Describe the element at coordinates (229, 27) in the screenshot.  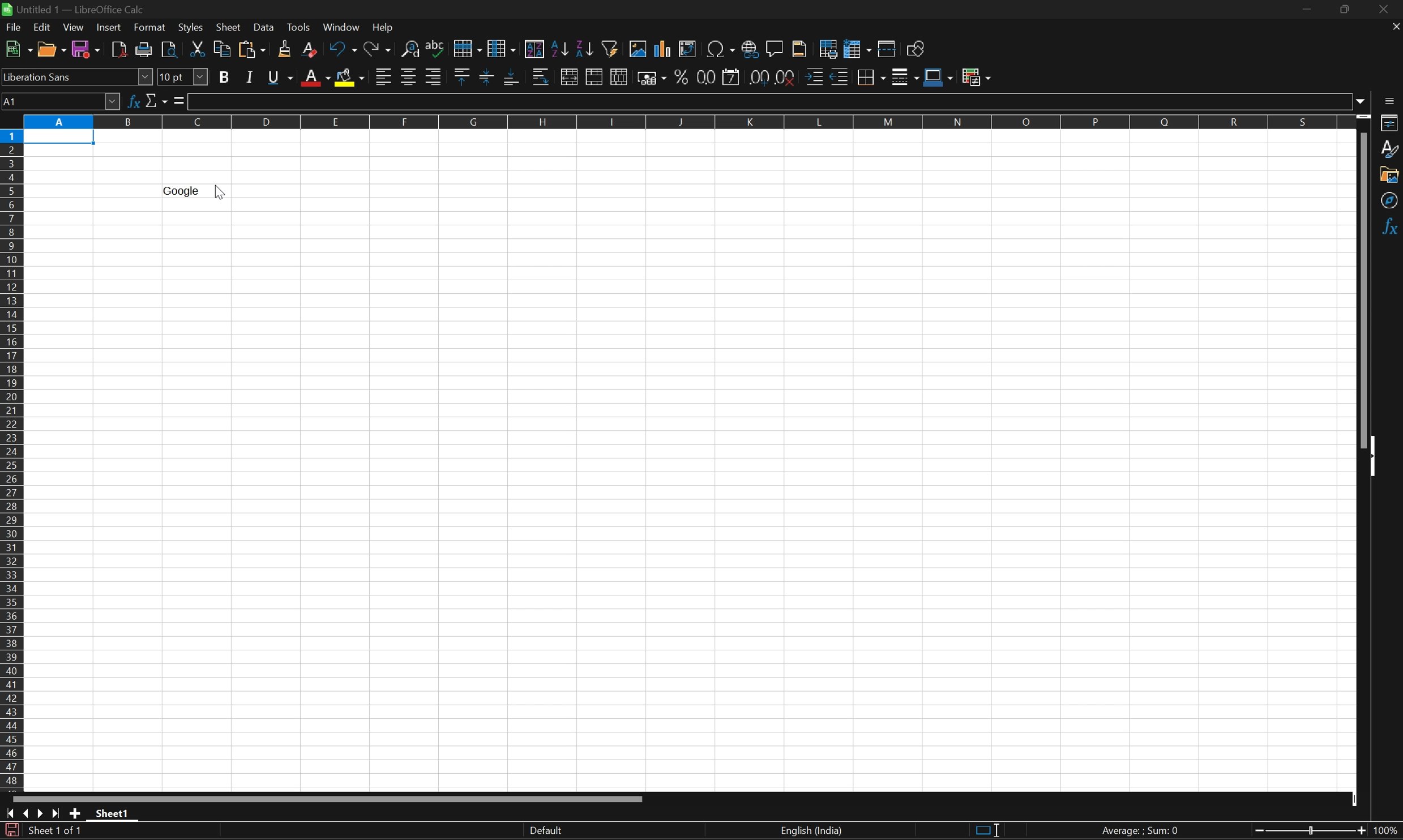
I see `Sheet` at that location.